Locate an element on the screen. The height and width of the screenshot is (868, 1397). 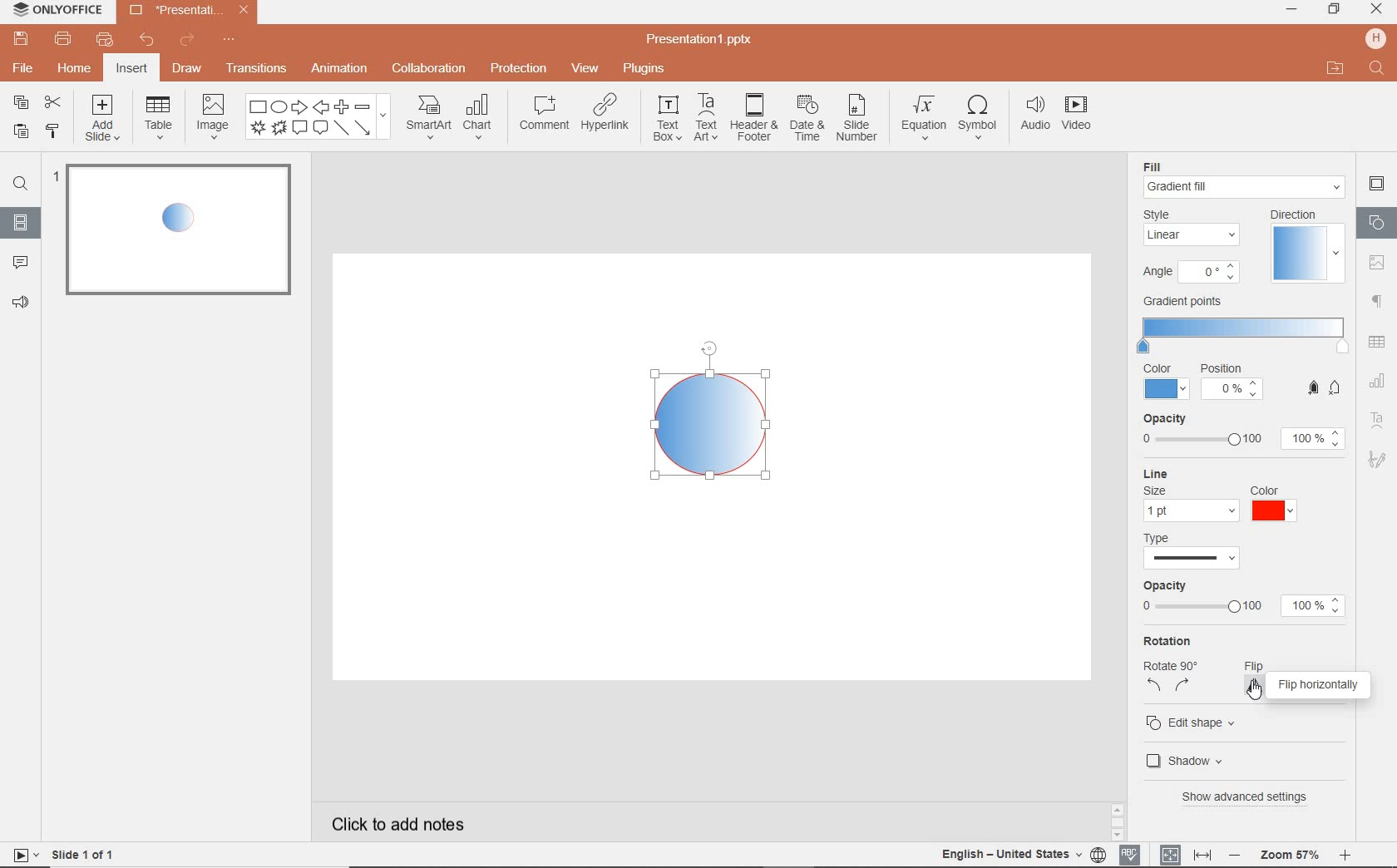
text art is located at coordinates (708, 118).